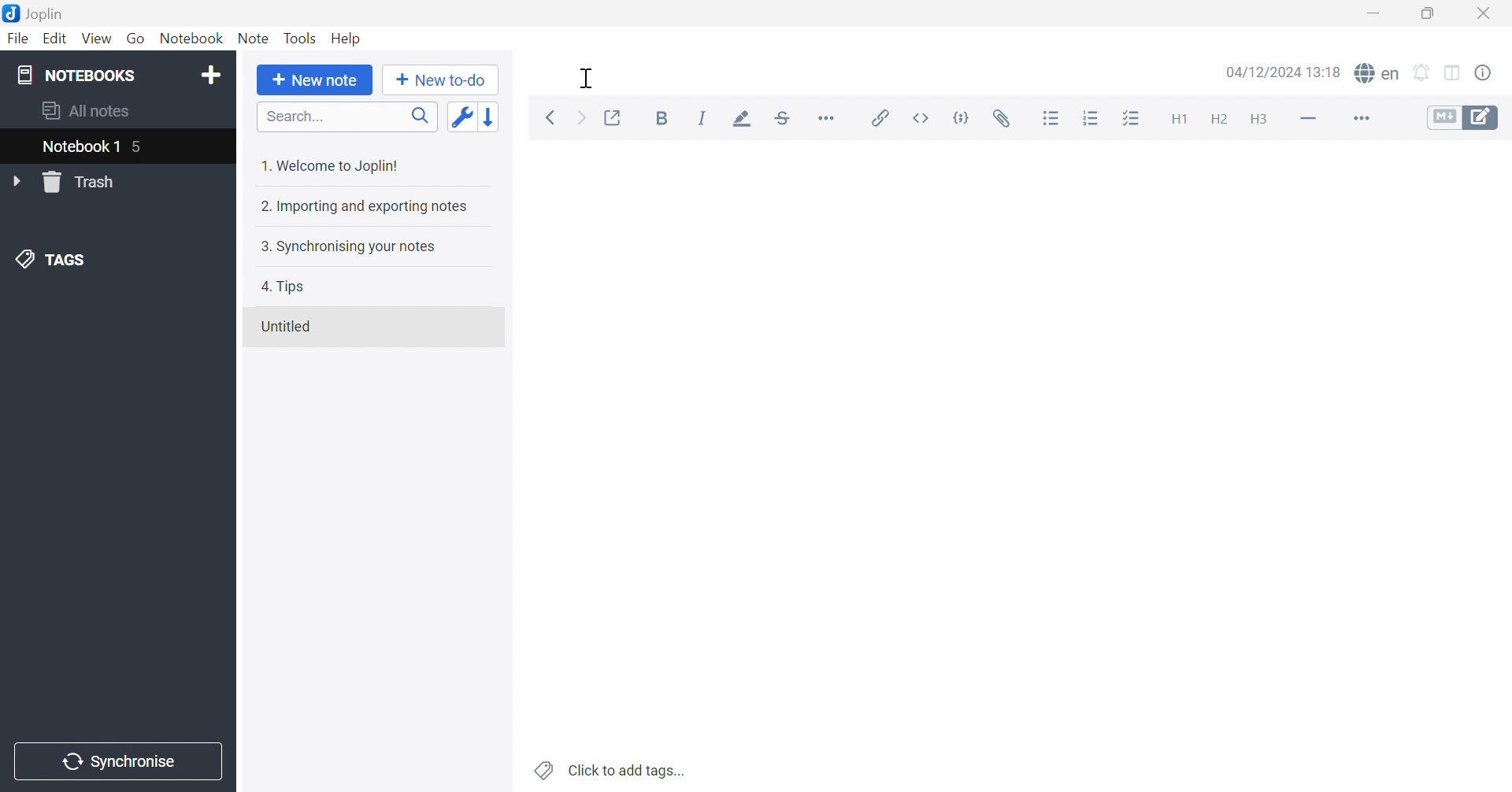  What do you see at coordinates (336, 165) in the screenshot?
I see `1. Welcome to Joplin!` at bounding box center [336, 165].